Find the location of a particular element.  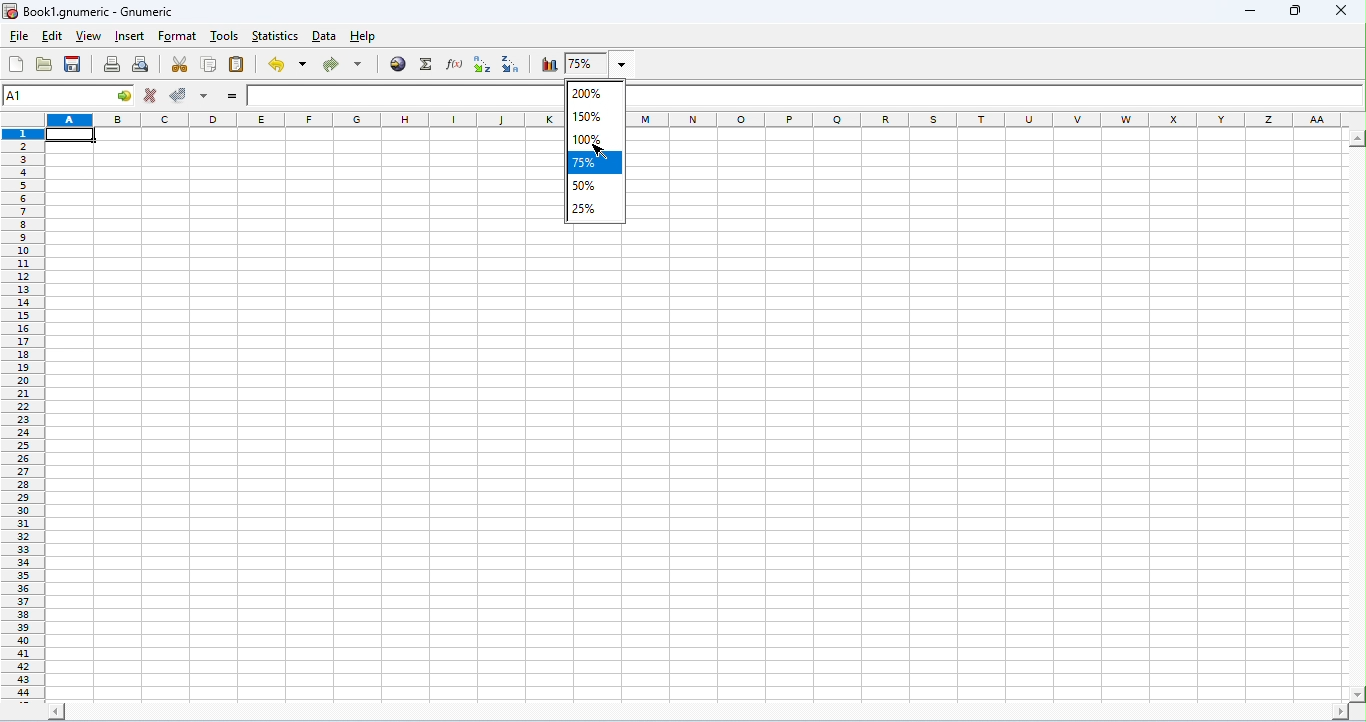

format is located at coordinates (177, 37).